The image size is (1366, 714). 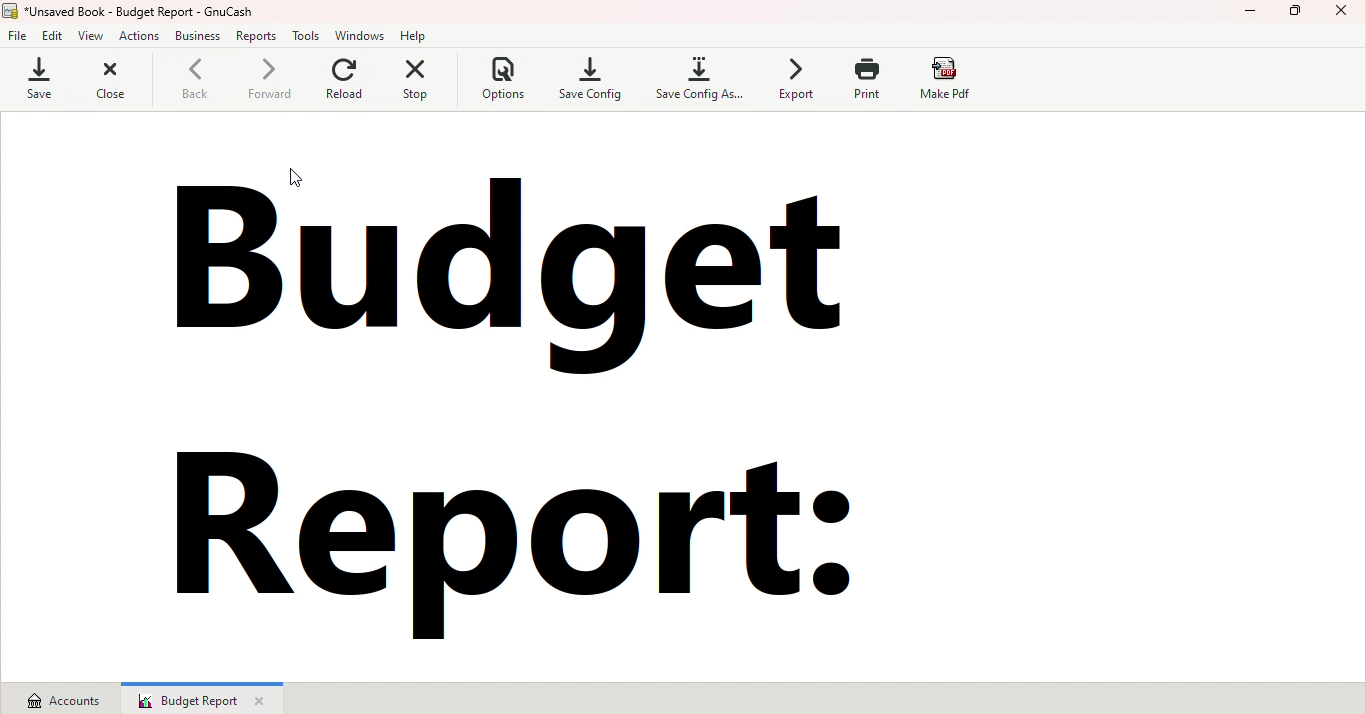 I want to click on Budget report, so click(x=177, y=700).